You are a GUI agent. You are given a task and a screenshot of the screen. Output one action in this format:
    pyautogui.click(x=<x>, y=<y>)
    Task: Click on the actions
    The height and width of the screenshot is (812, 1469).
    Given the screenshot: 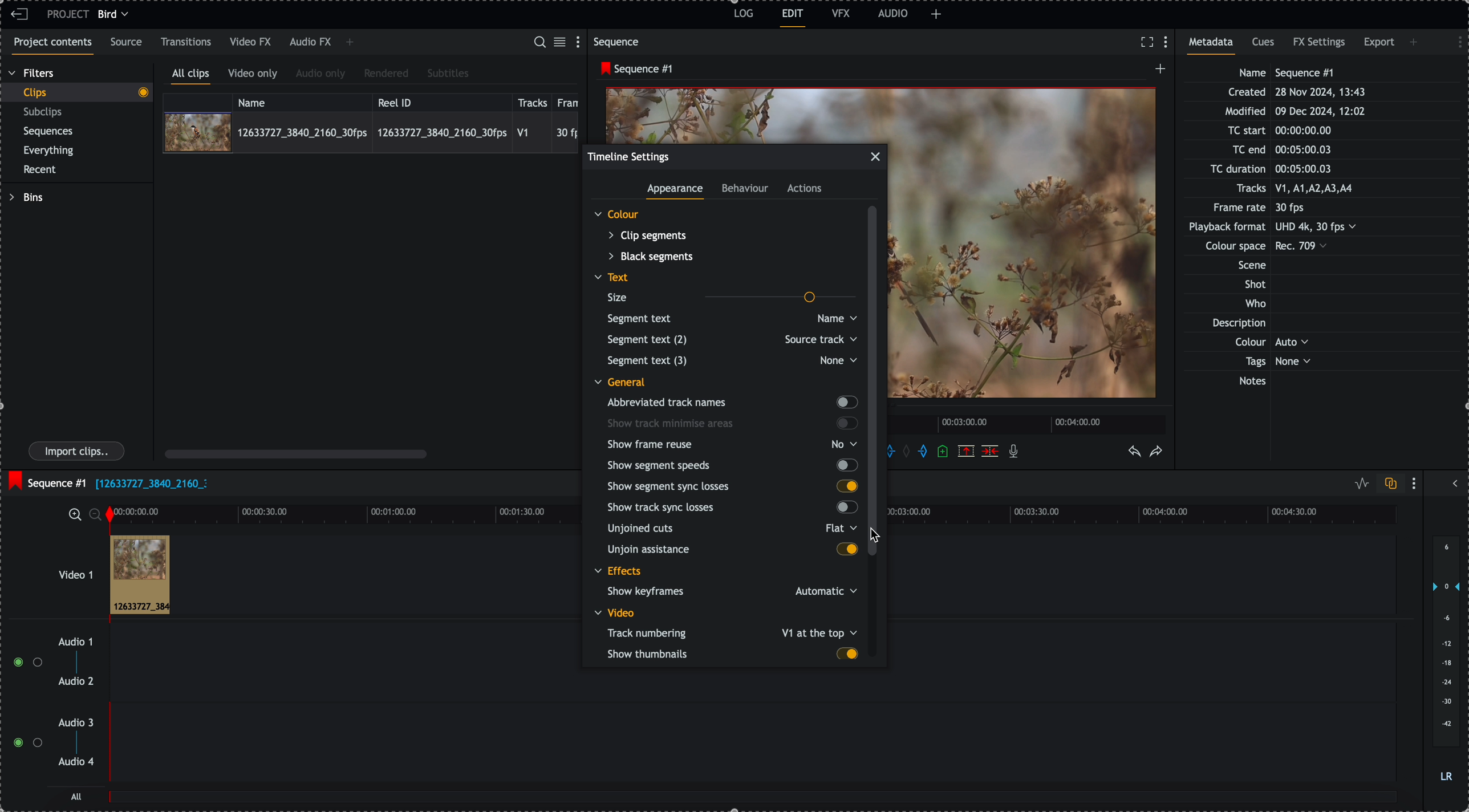 What is the action you would take?
    pyautogui.click(x=805, y=189)
    